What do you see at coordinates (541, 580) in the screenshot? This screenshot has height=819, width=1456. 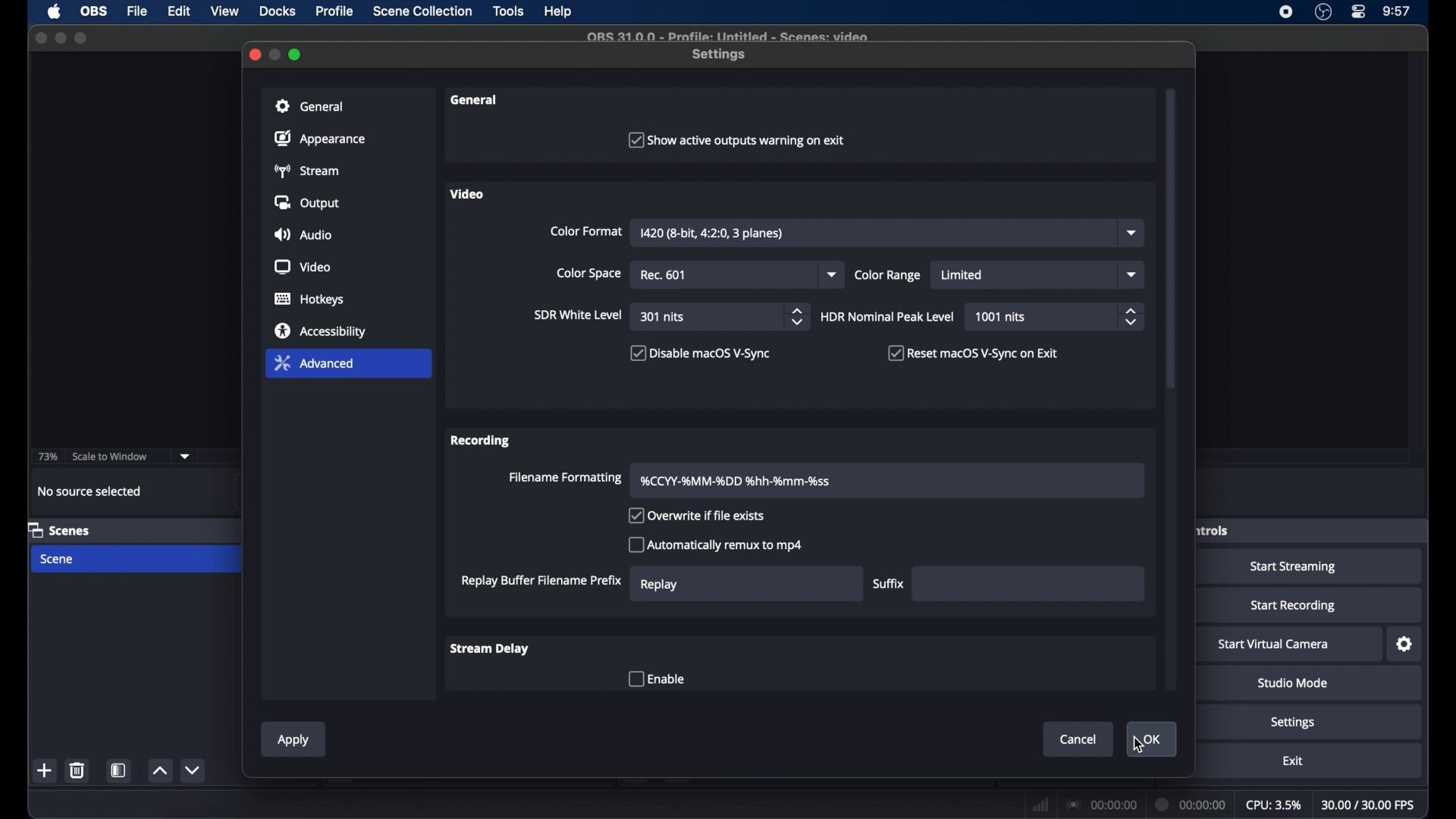 I see `reply buffer ` at bounding box center [541, 580].